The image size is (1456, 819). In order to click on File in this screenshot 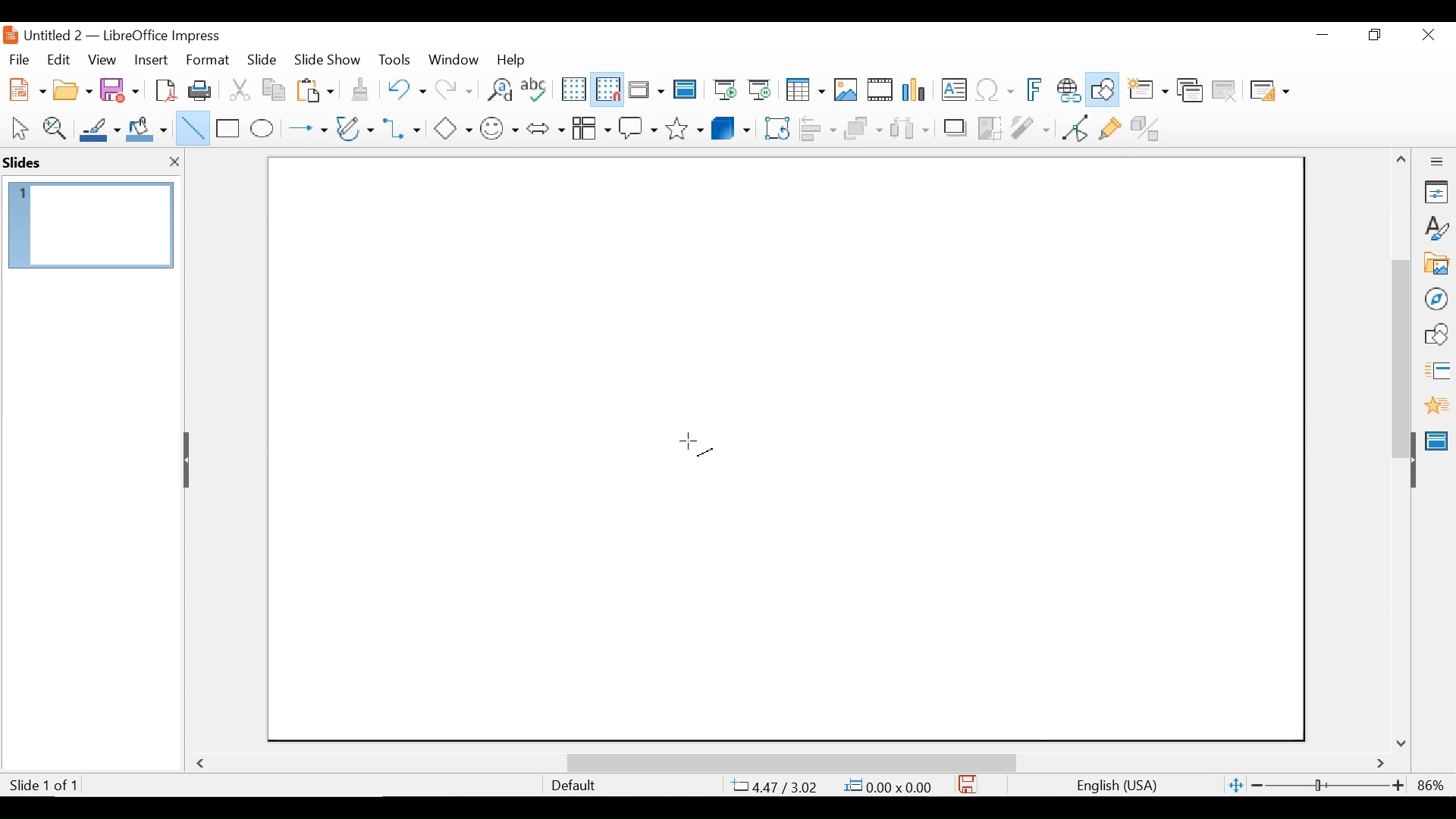, I will do `click(19, 58)`.